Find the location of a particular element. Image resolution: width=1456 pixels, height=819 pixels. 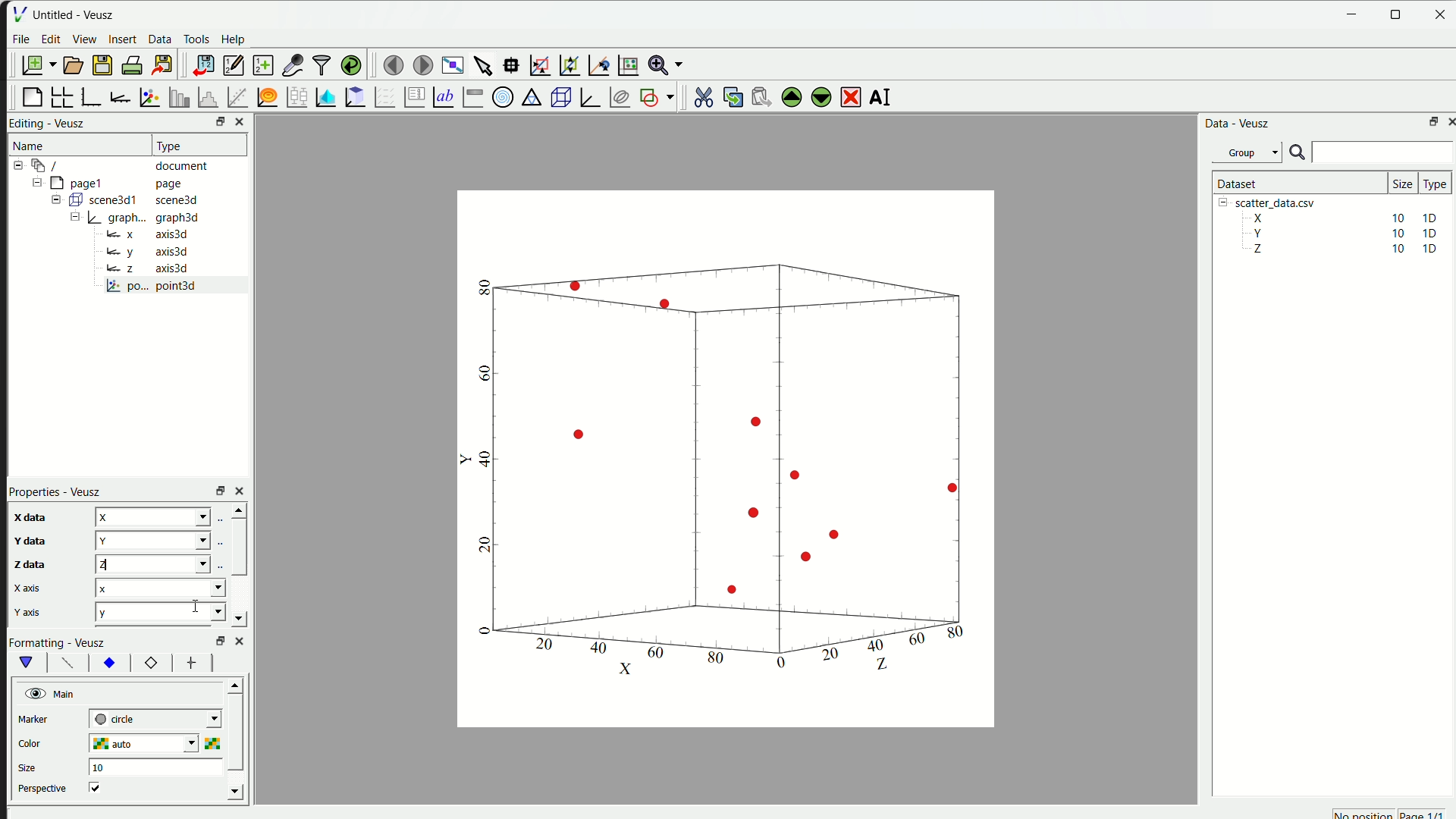

Bz  axis3d is located at coordinates (144, 268).